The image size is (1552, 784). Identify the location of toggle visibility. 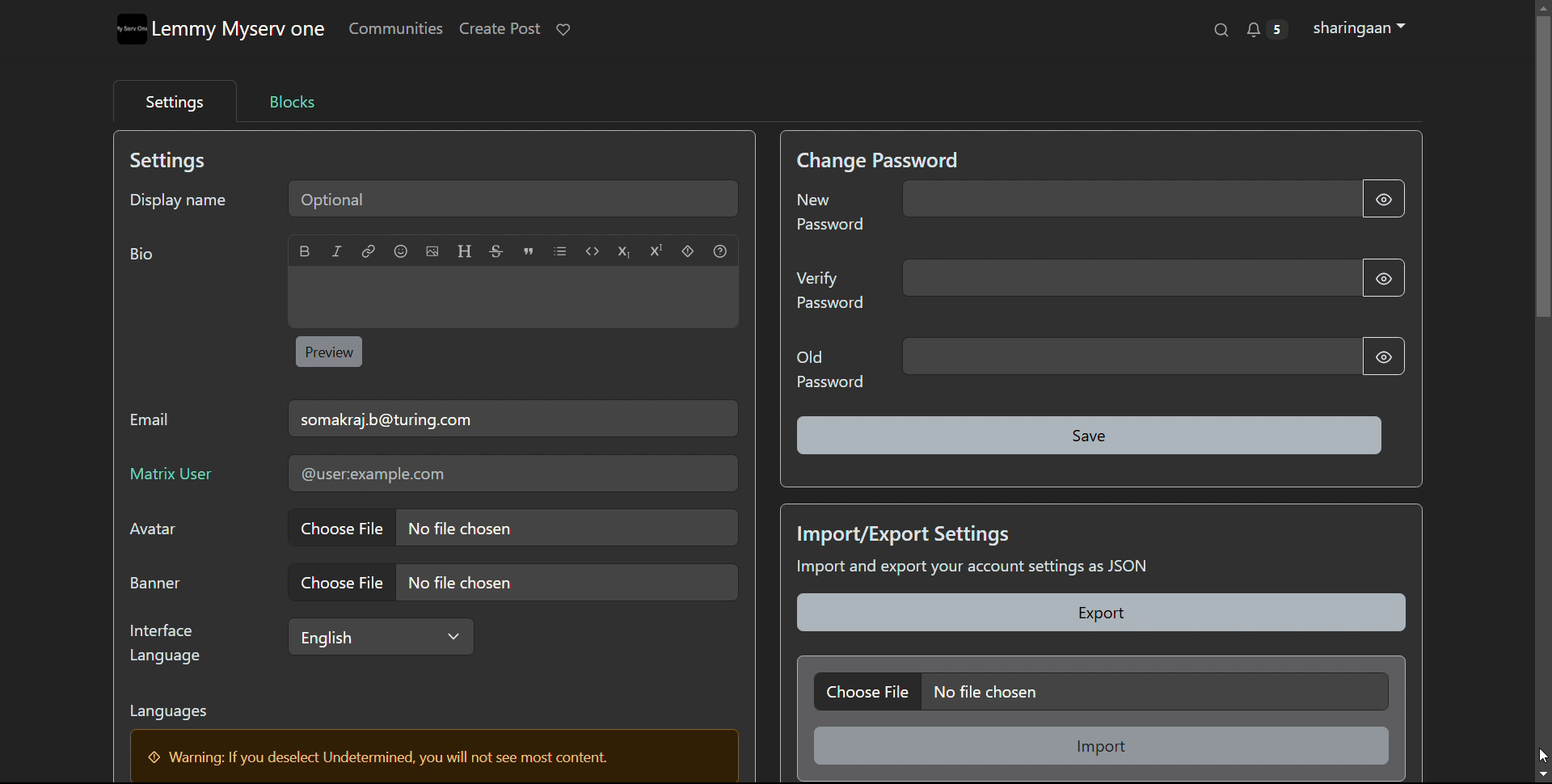
(1384, 278).